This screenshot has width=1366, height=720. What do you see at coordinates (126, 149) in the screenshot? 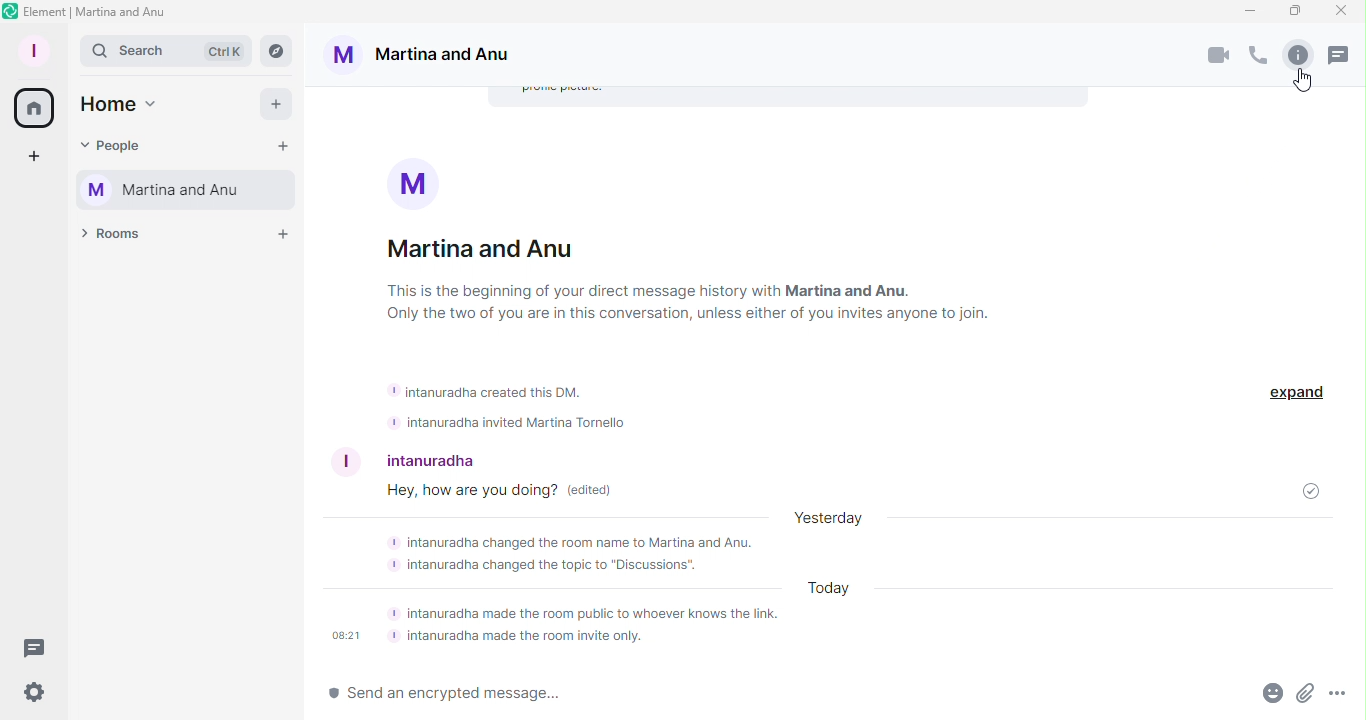
I see `People` at bounding box center [126, 149].